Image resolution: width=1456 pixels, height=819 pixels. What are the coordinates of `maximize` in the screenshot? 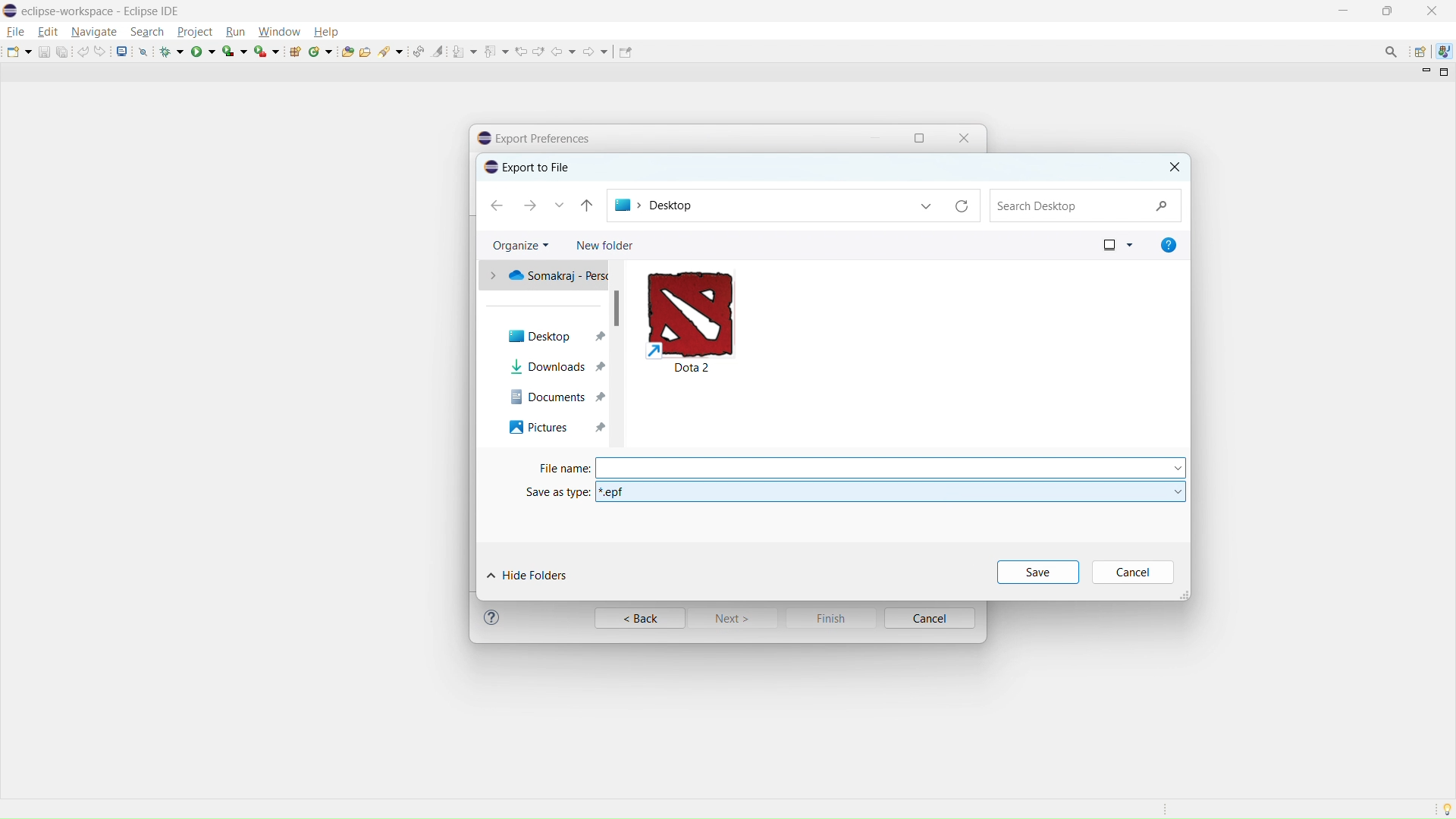 It's located at (923, 136).